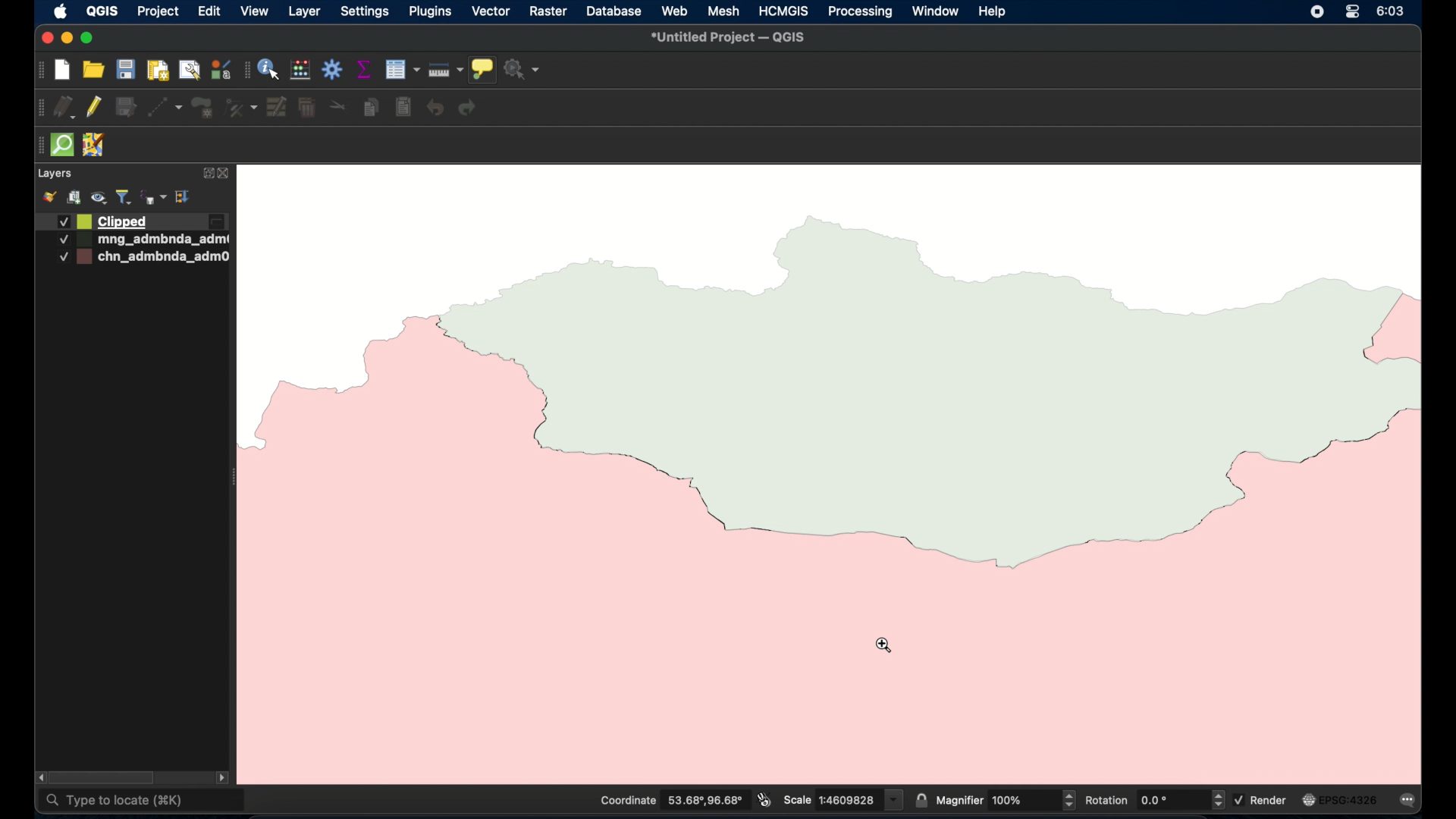  I want to click on toolbox, so click(333, 69).